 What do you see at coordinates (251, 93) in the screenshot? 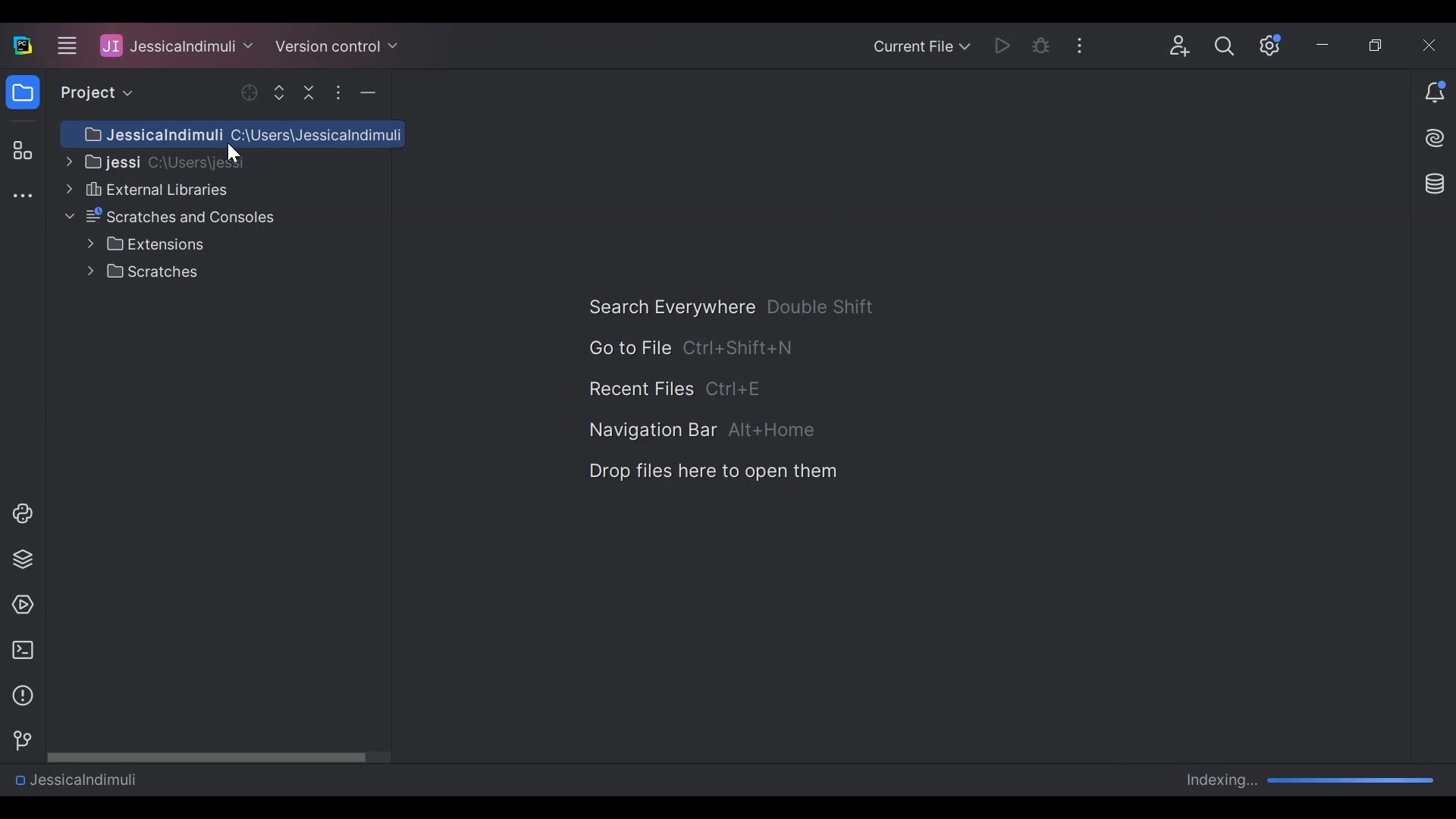
I see `Open Selected File` at bounding box center [251, 93].